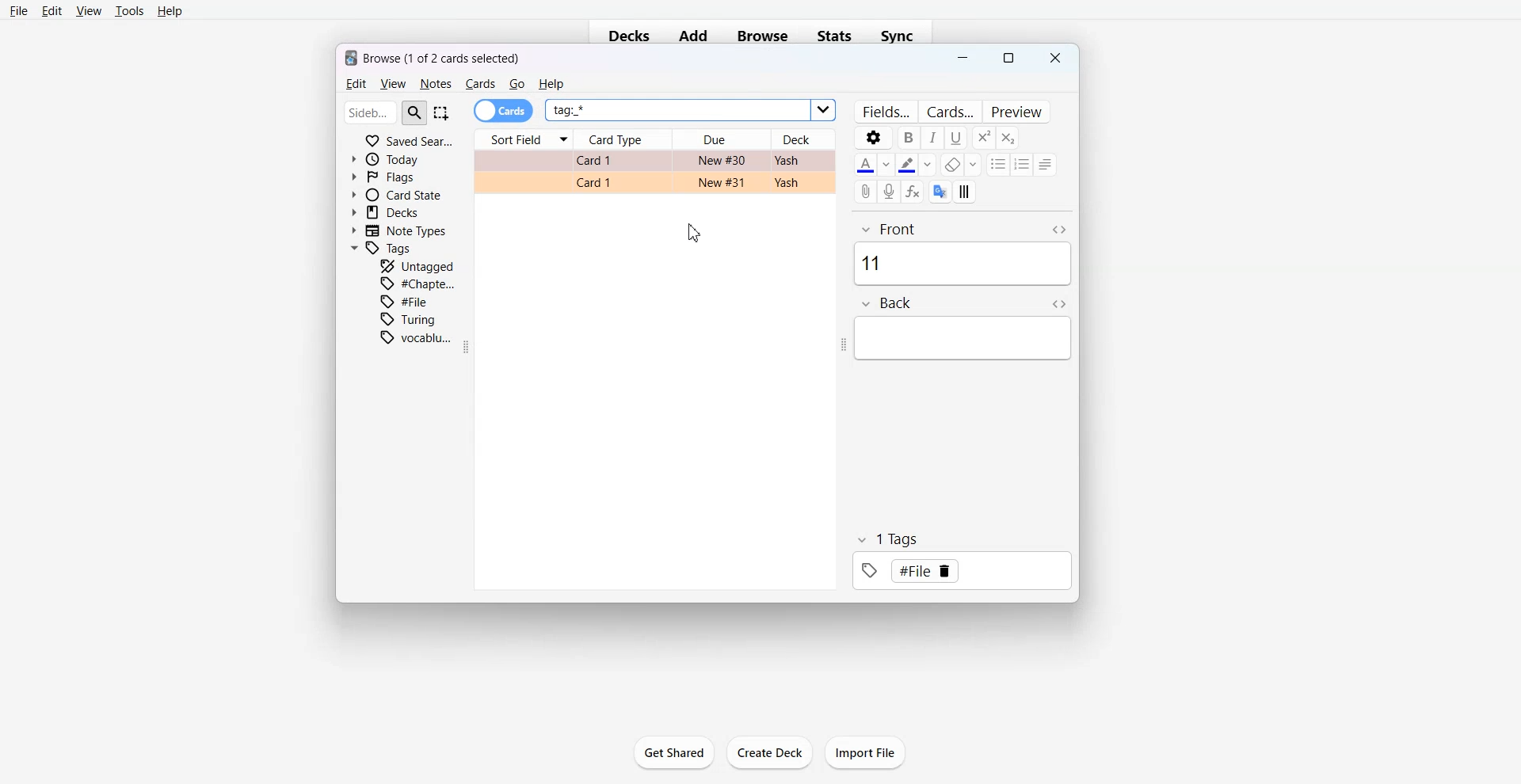  Describe the element at coordinates (762, 36) in the screenshot. I see `Browse` at that location.